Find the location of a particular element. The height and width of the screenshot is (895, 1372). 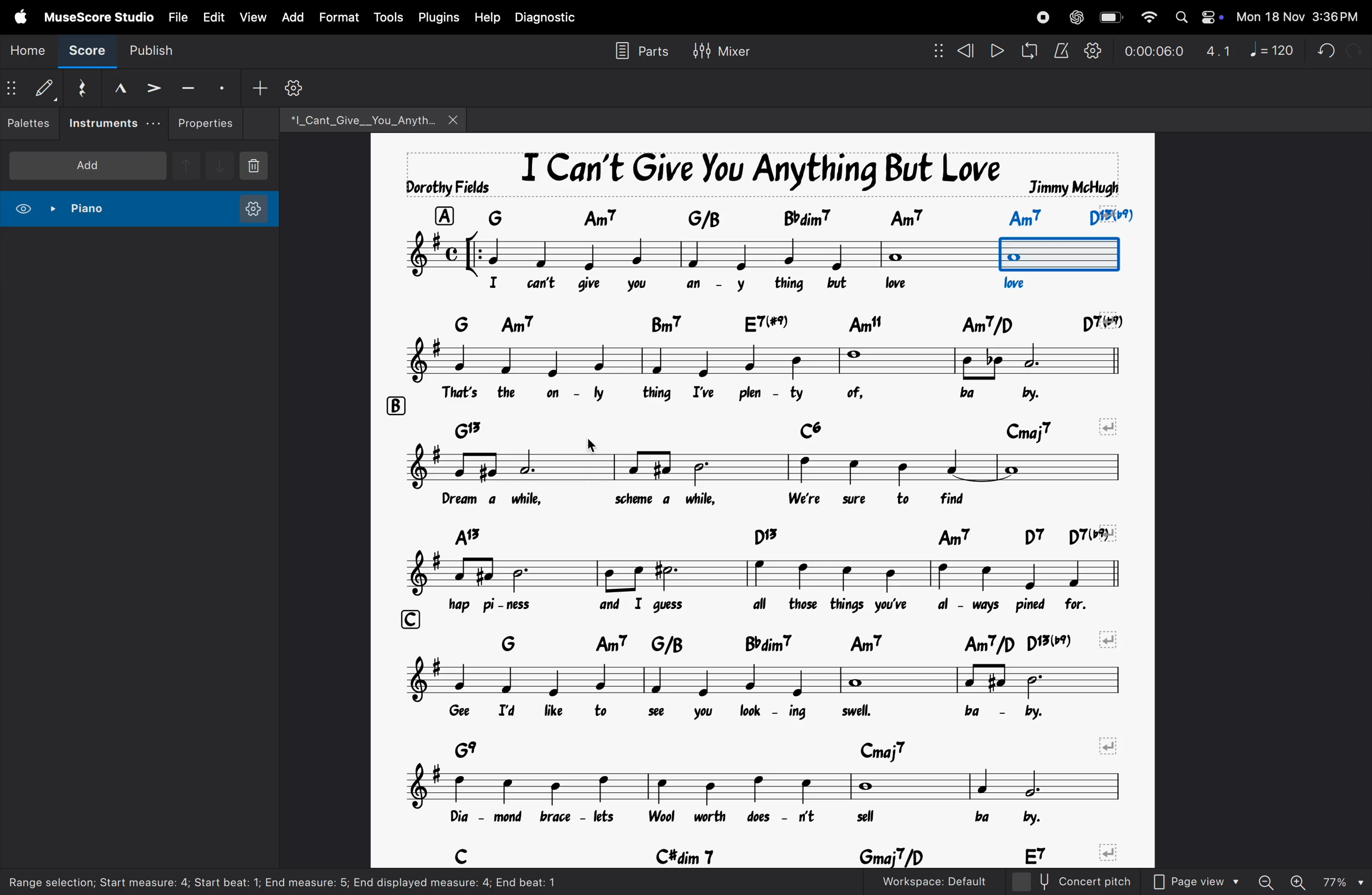

properties is located at coordinates (208, 123).